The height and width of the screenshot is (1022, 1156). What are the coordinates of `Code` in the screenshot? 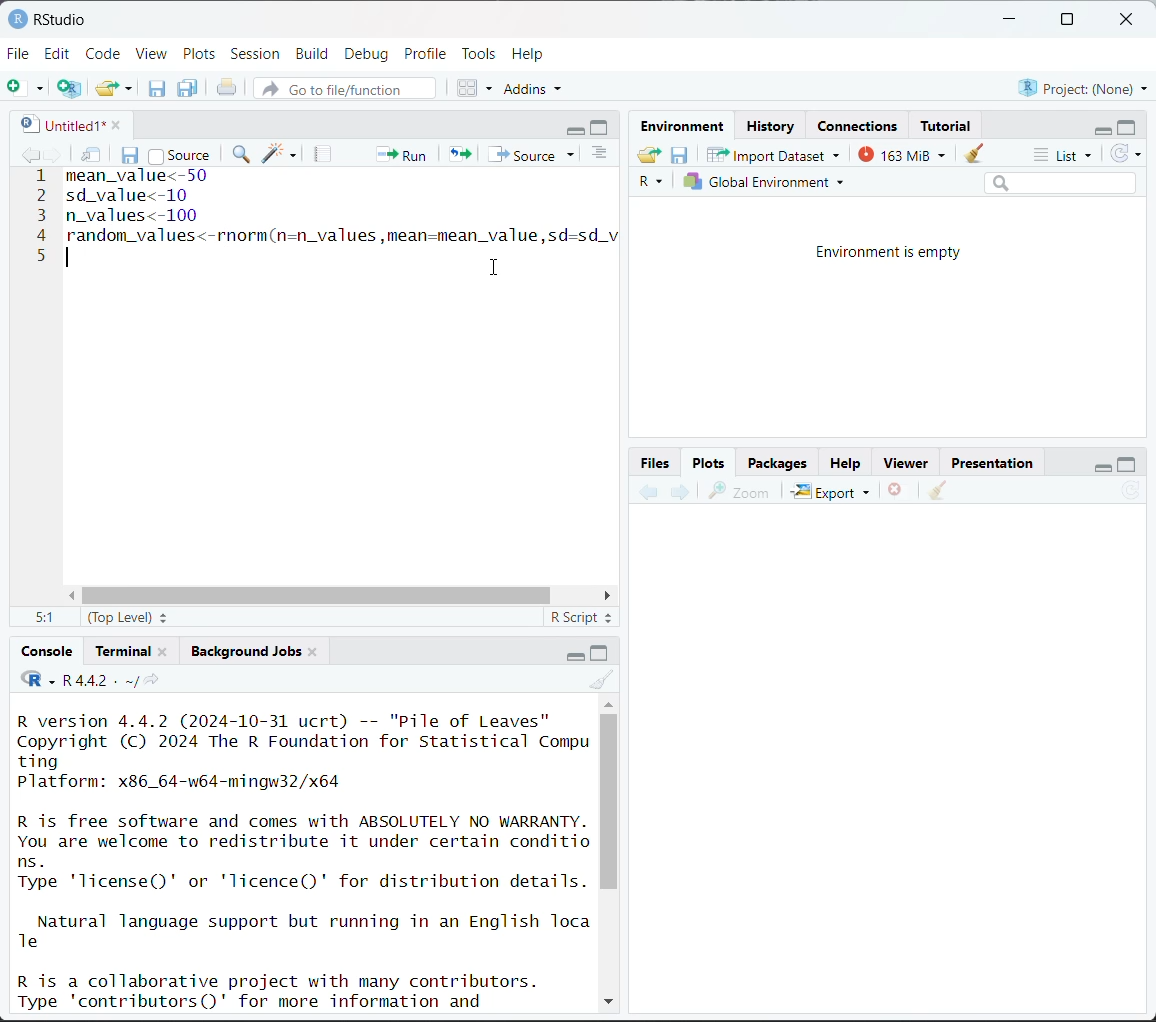 It's located at (105, 52).